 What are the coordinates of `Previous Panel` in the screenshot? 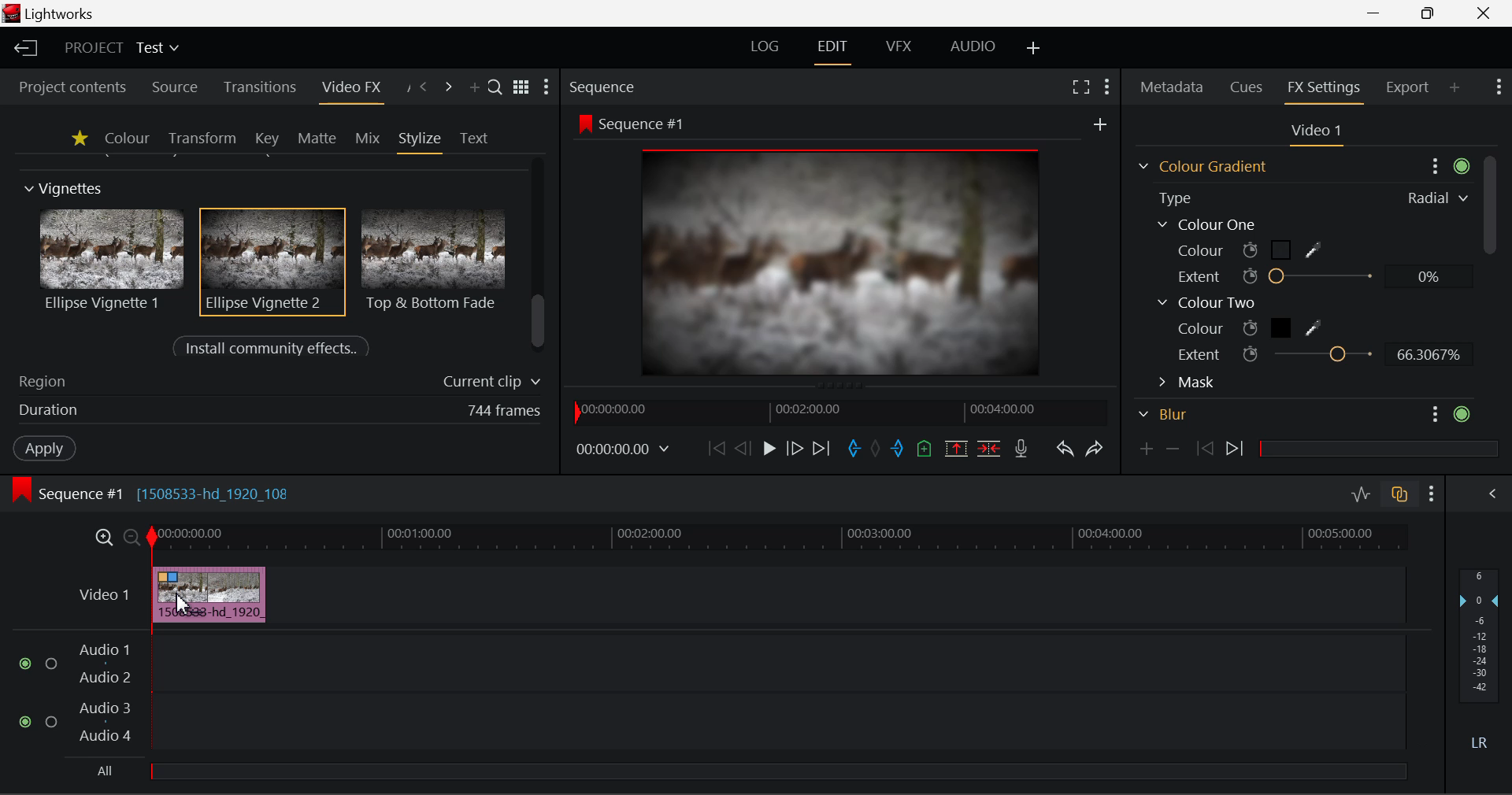 It's located at (424, 87).